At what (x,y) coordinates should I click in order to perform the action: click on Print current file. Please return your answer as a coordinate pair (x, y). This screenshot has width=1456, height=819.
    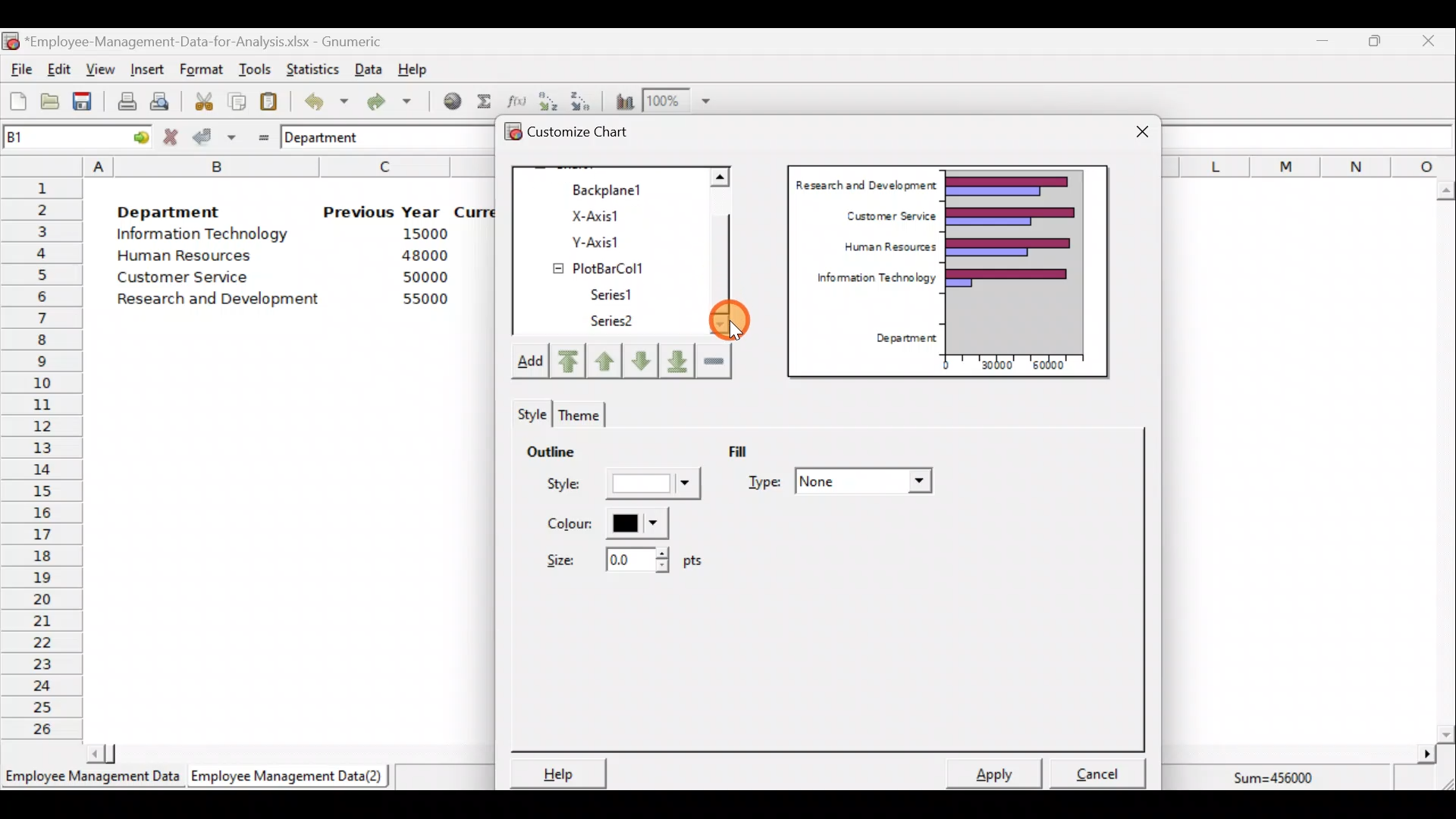
    Looking at the image, I should click on (127, 101).